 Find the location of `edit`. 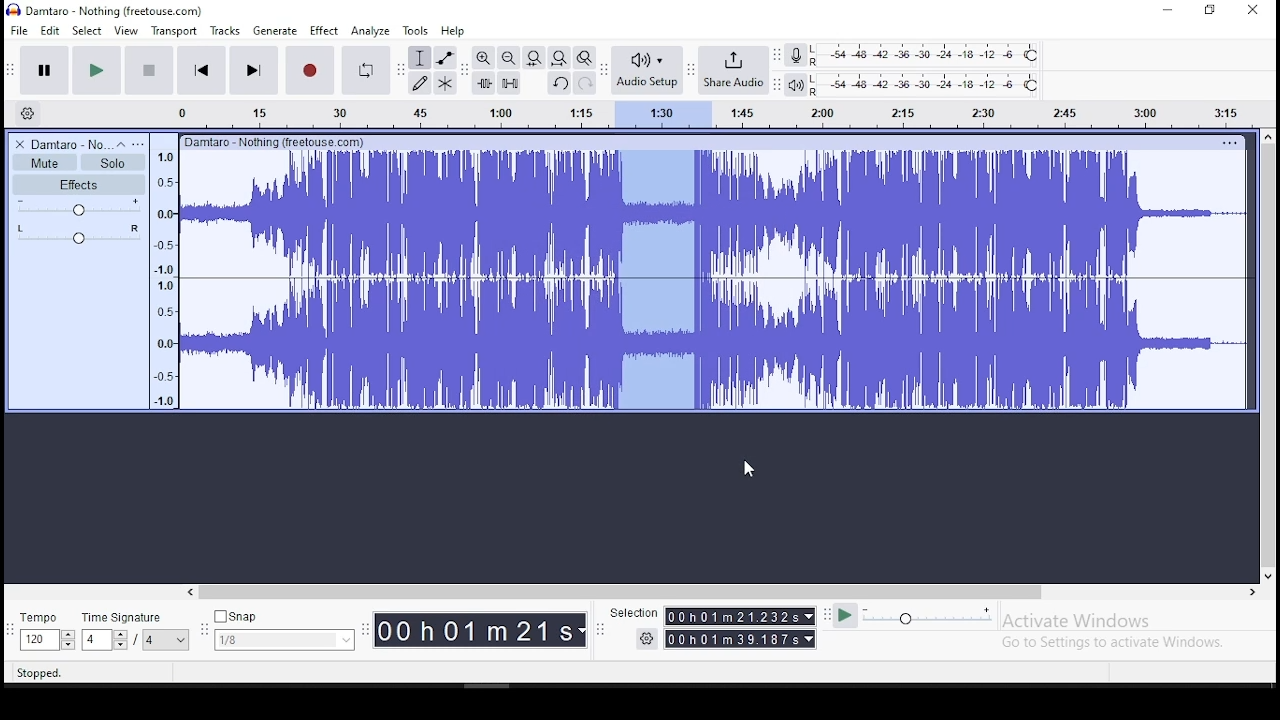

edit is located at coordinates (51, 31).